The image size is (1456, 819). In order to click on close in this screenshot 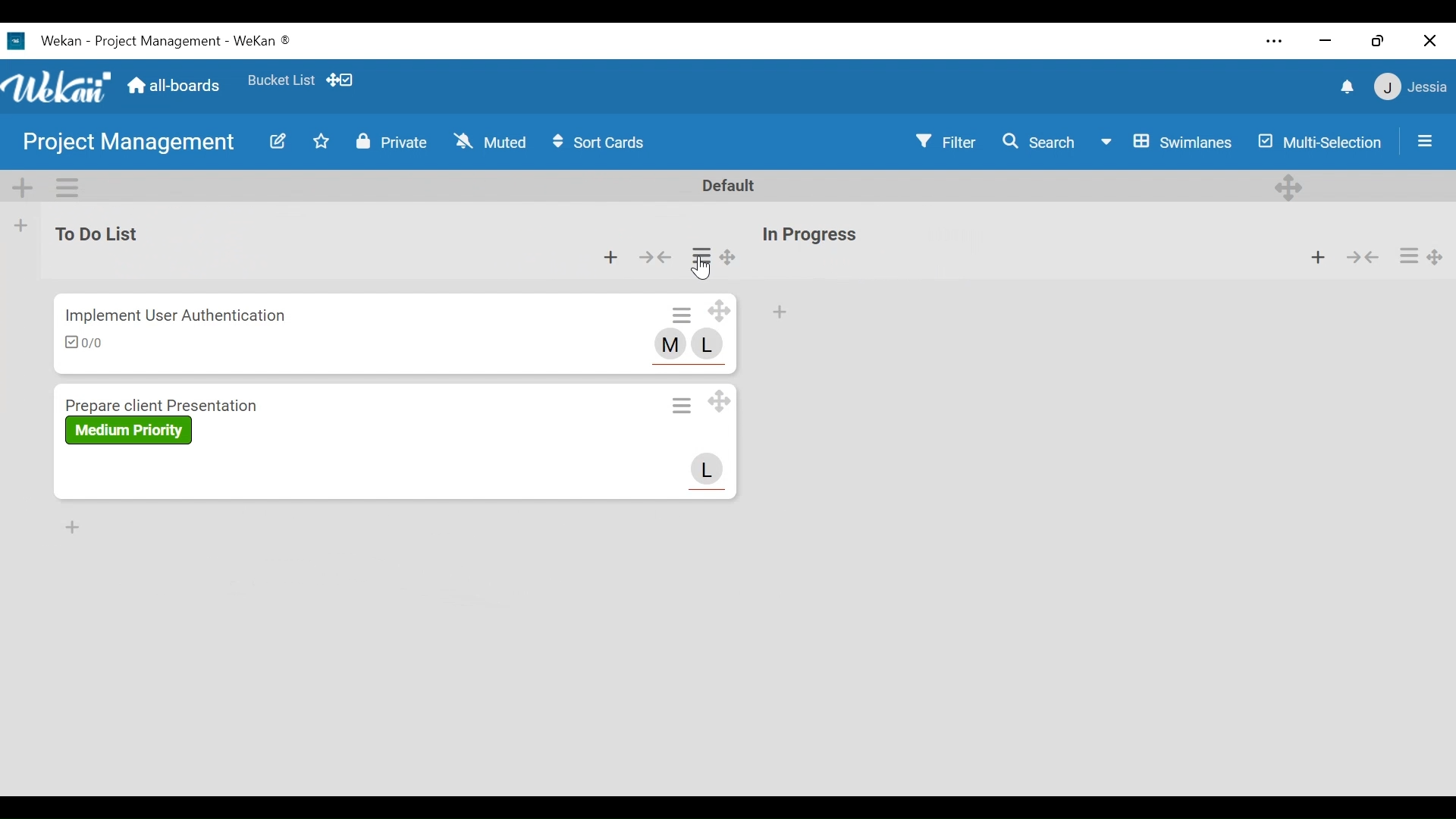, I will do `click(1427, 40)`.